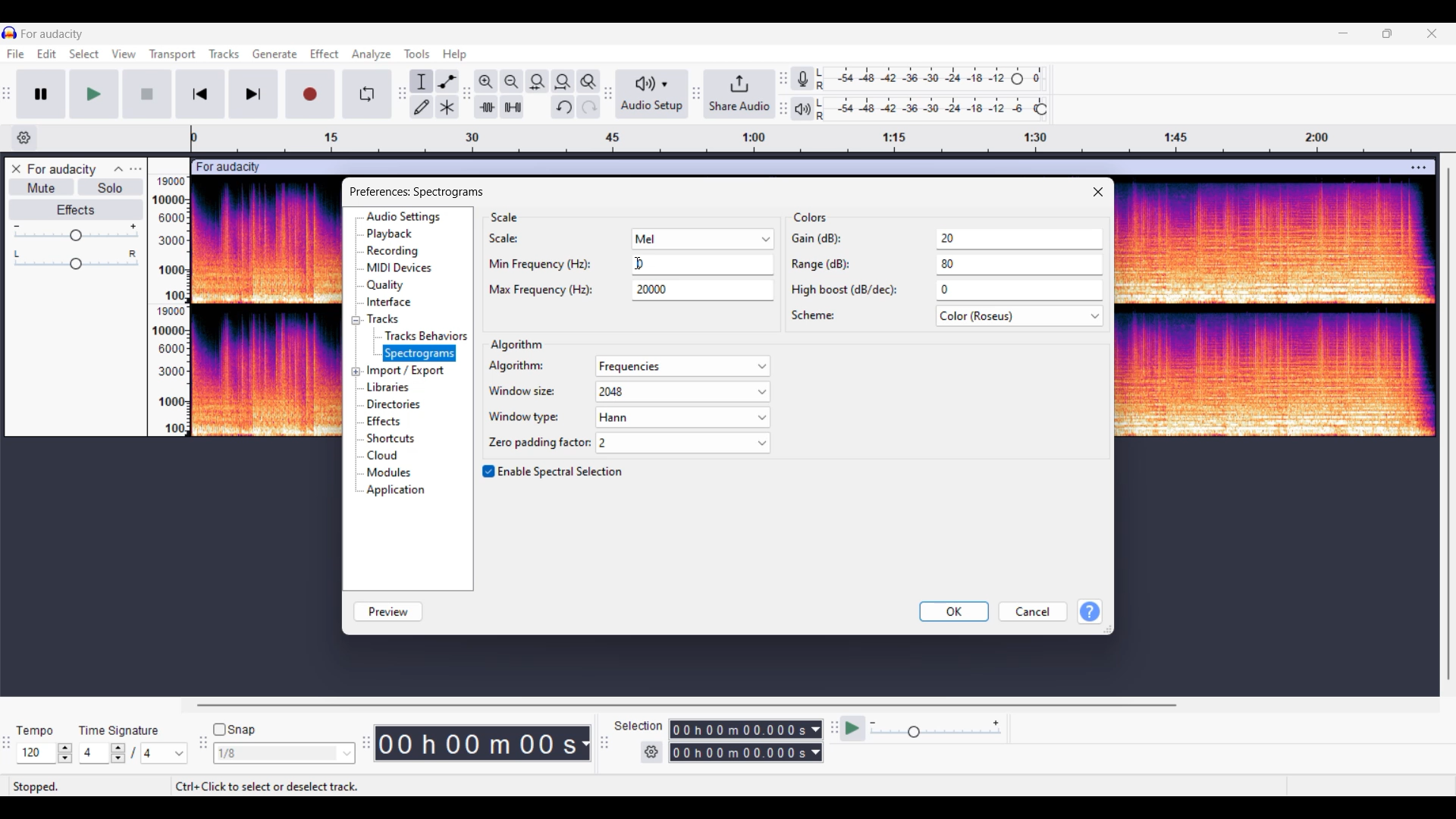  I want to click on Preview, so click(388, 612).